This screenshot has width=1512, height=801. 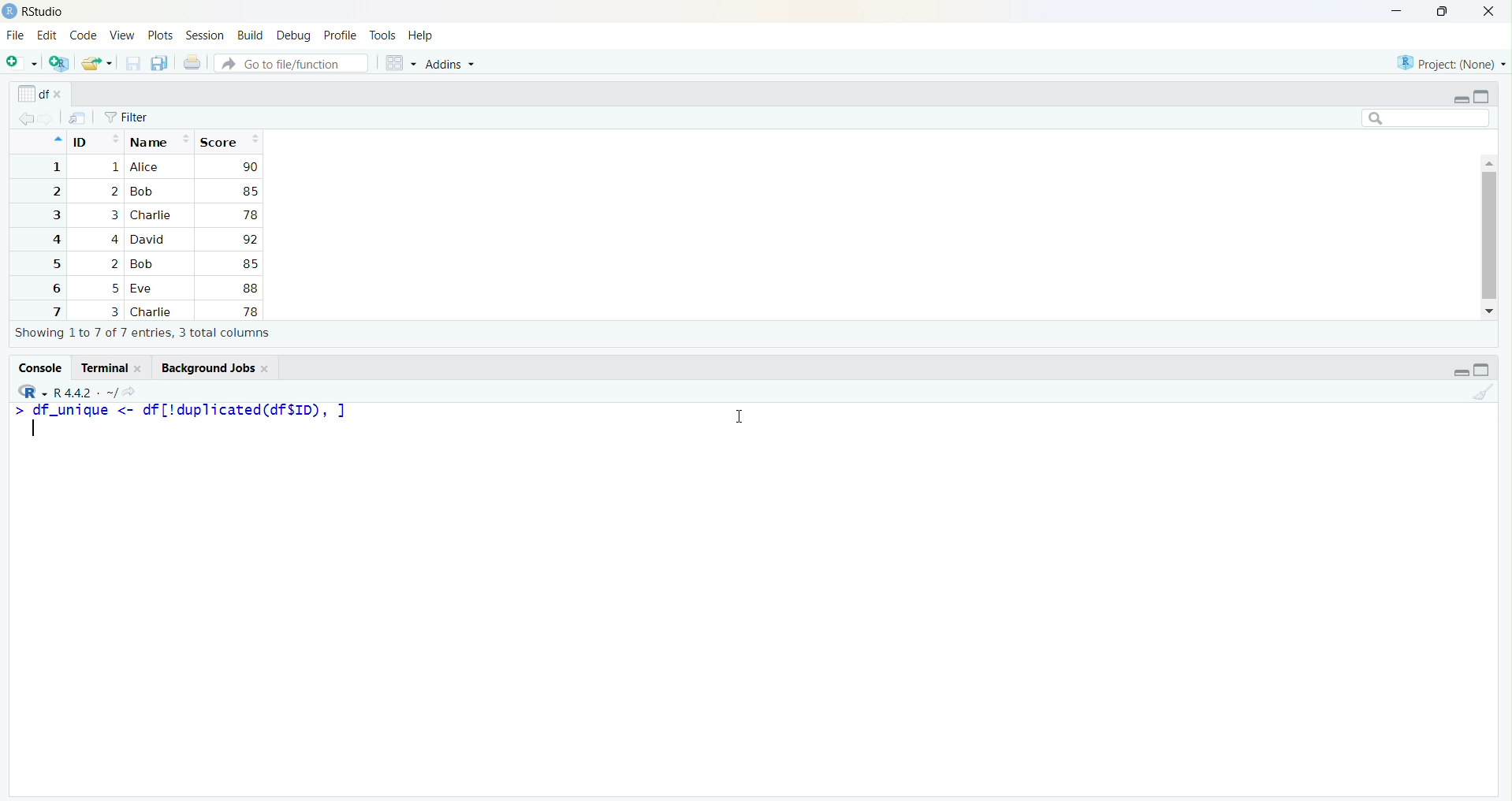 I want to click on 2, so click(x=114, y=191).